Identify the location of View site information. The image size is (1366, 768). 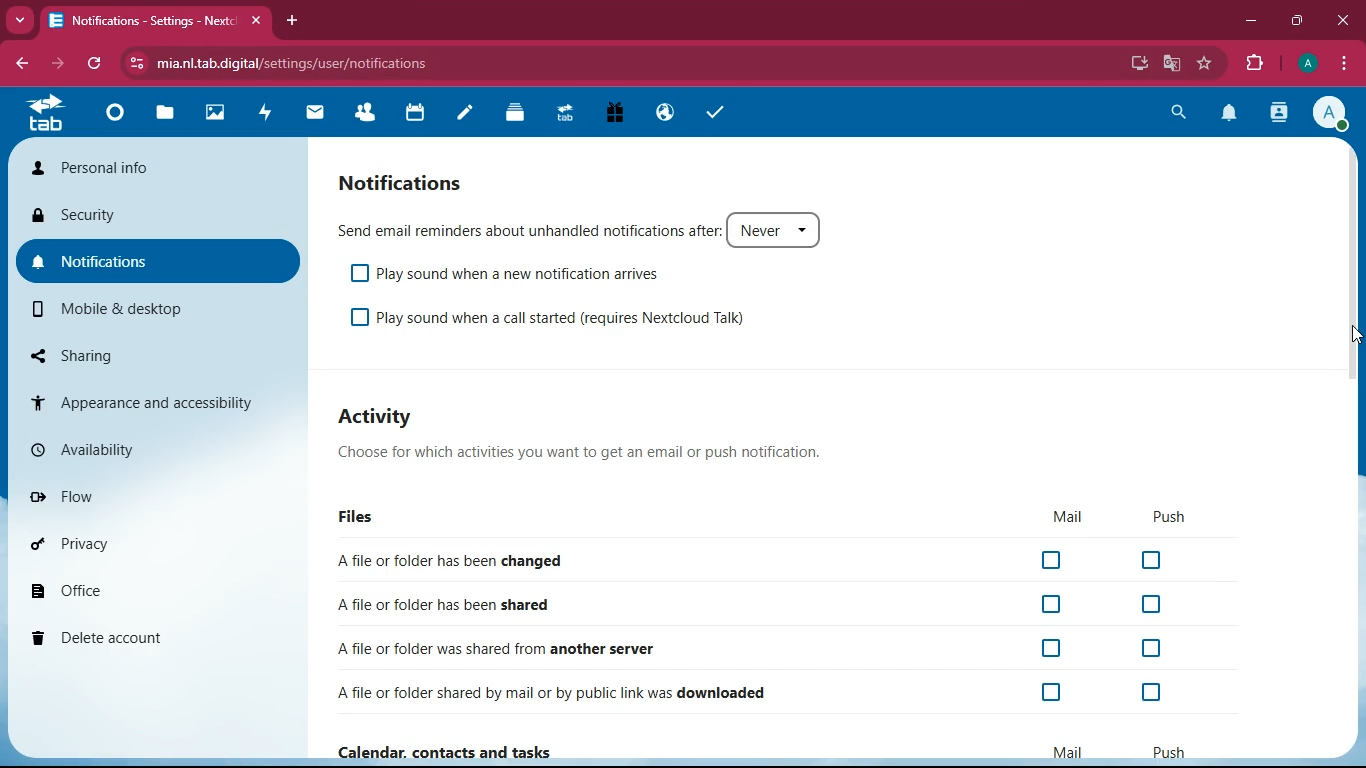
(137, 63).